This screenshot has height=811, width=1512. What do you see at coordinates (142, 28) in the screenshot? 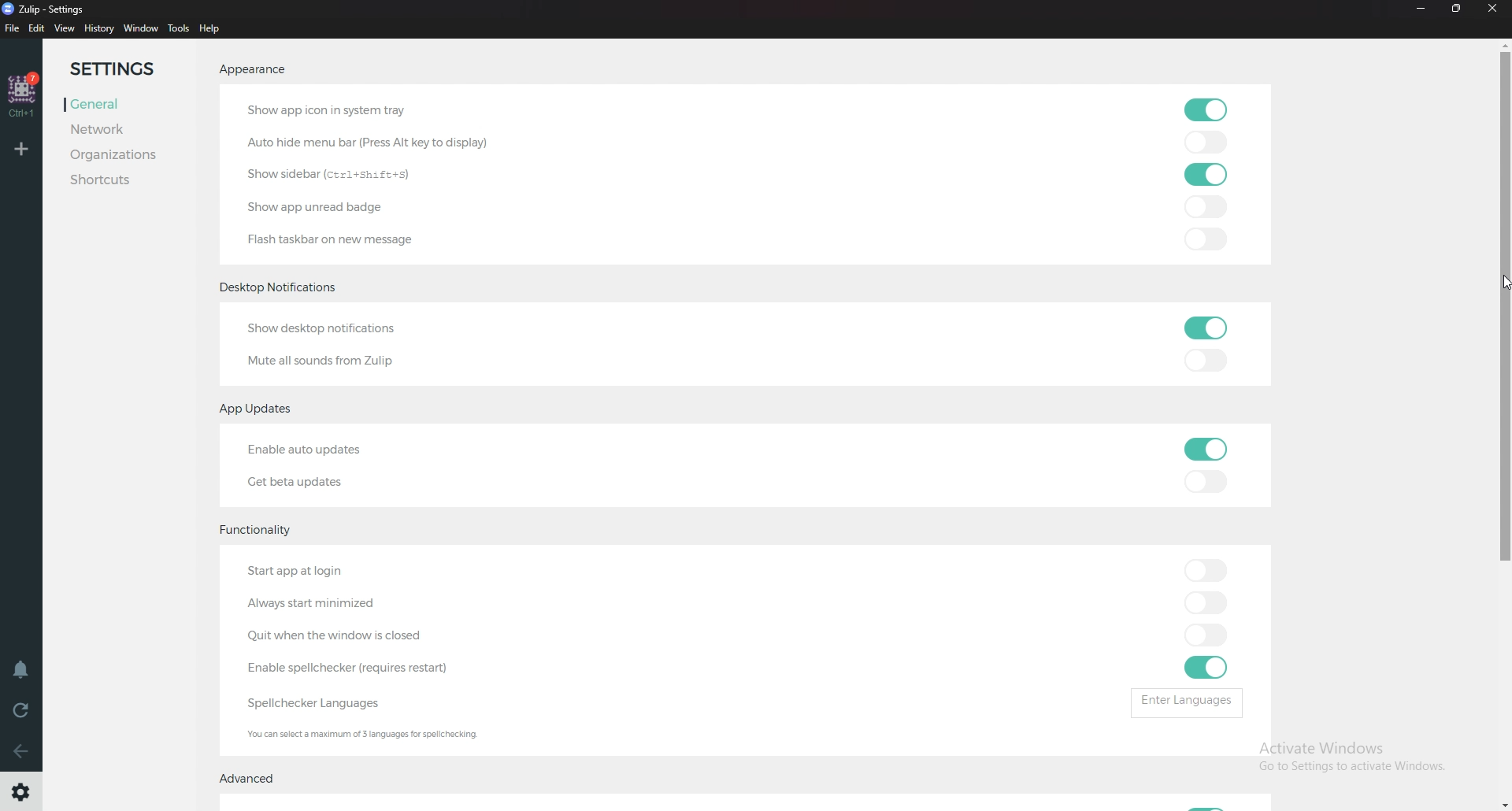
I see `Window` at bounding box center [142, 28].